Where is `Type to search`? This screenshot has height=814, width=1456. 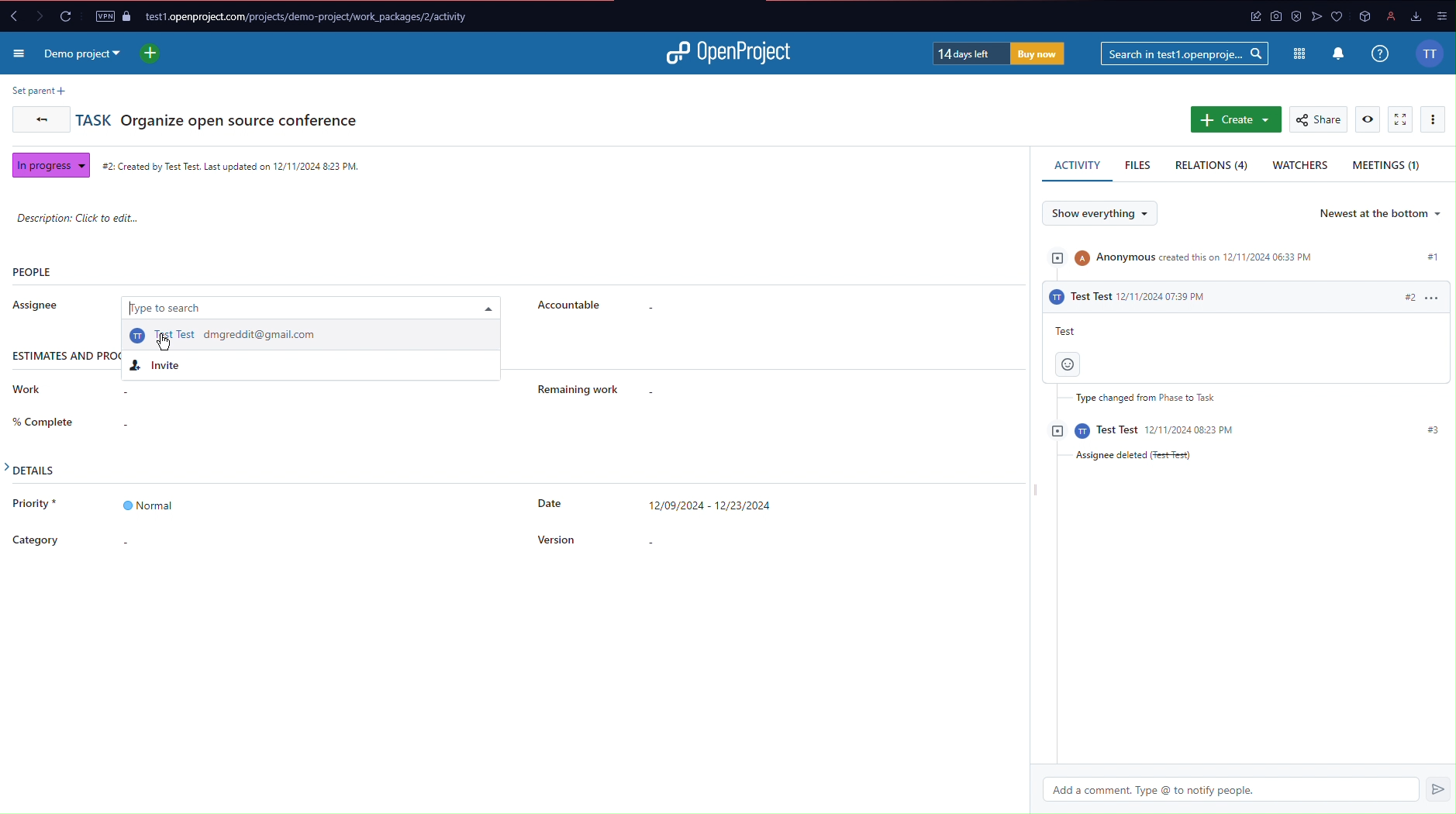
Type to search is located at coordinates (315, 307).